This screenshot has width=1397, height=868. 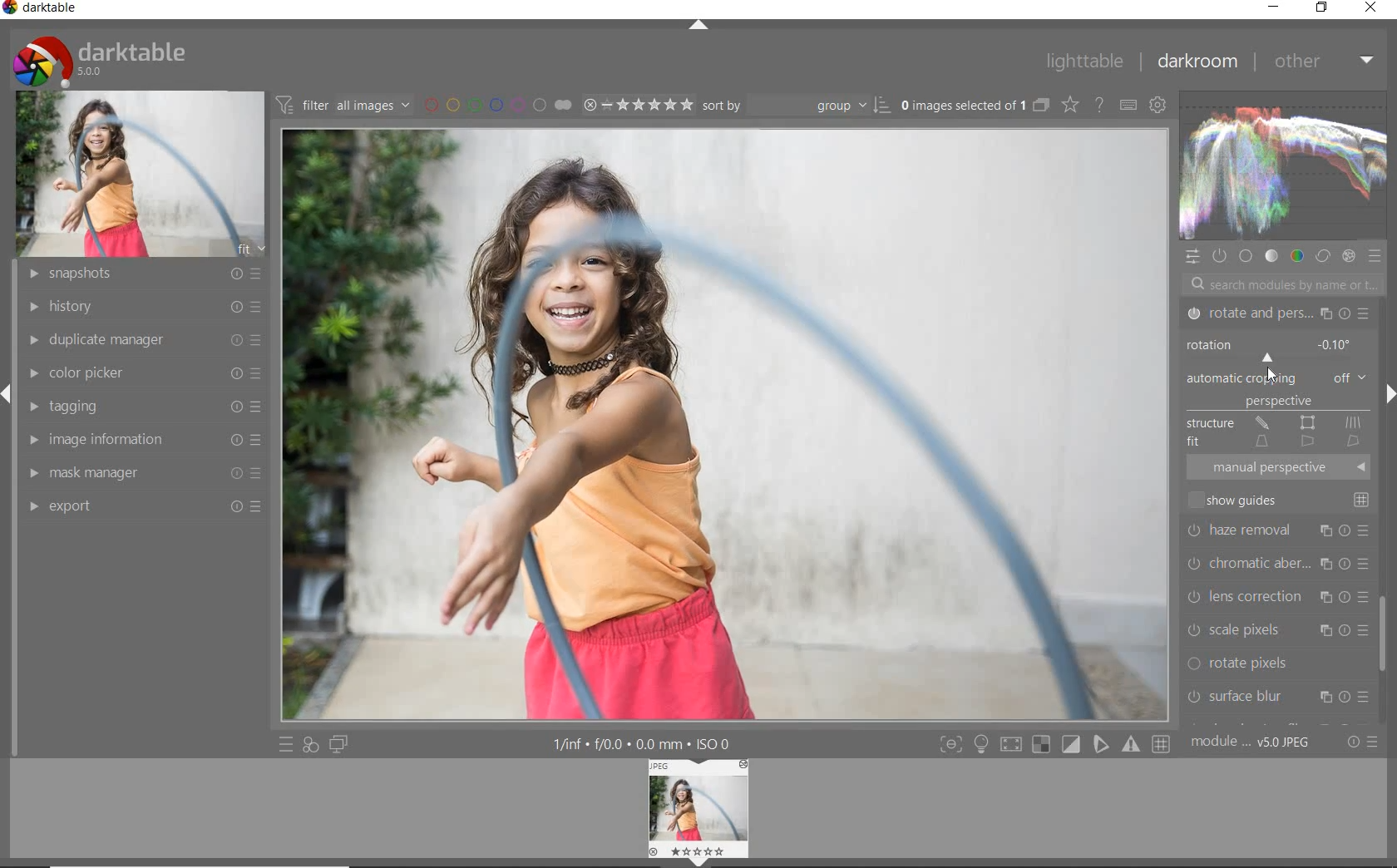 I want to click on toggle mode, so click(x=1054, y=744).